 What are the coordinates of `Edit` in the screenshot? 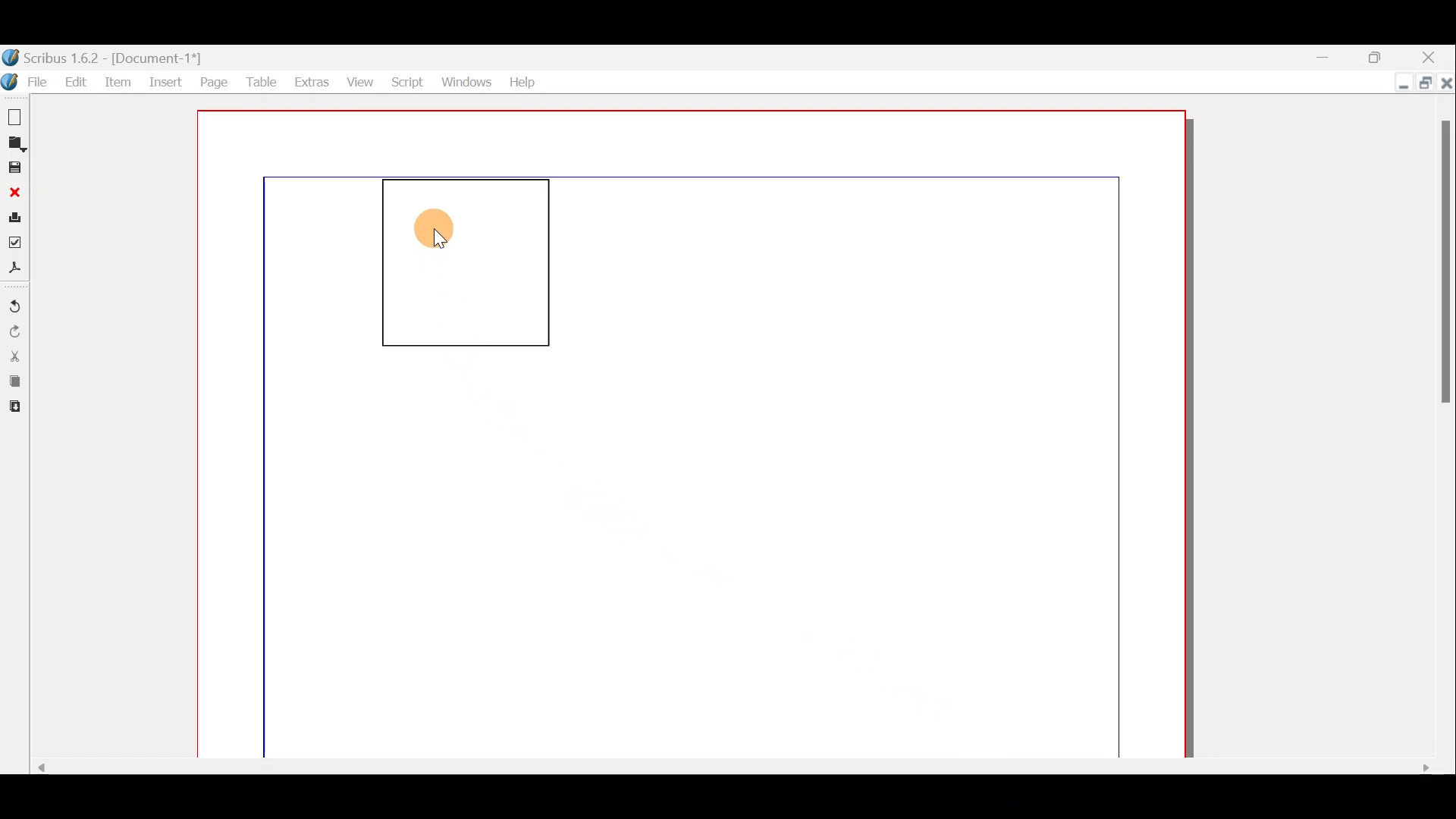 It's located at (77, 81).